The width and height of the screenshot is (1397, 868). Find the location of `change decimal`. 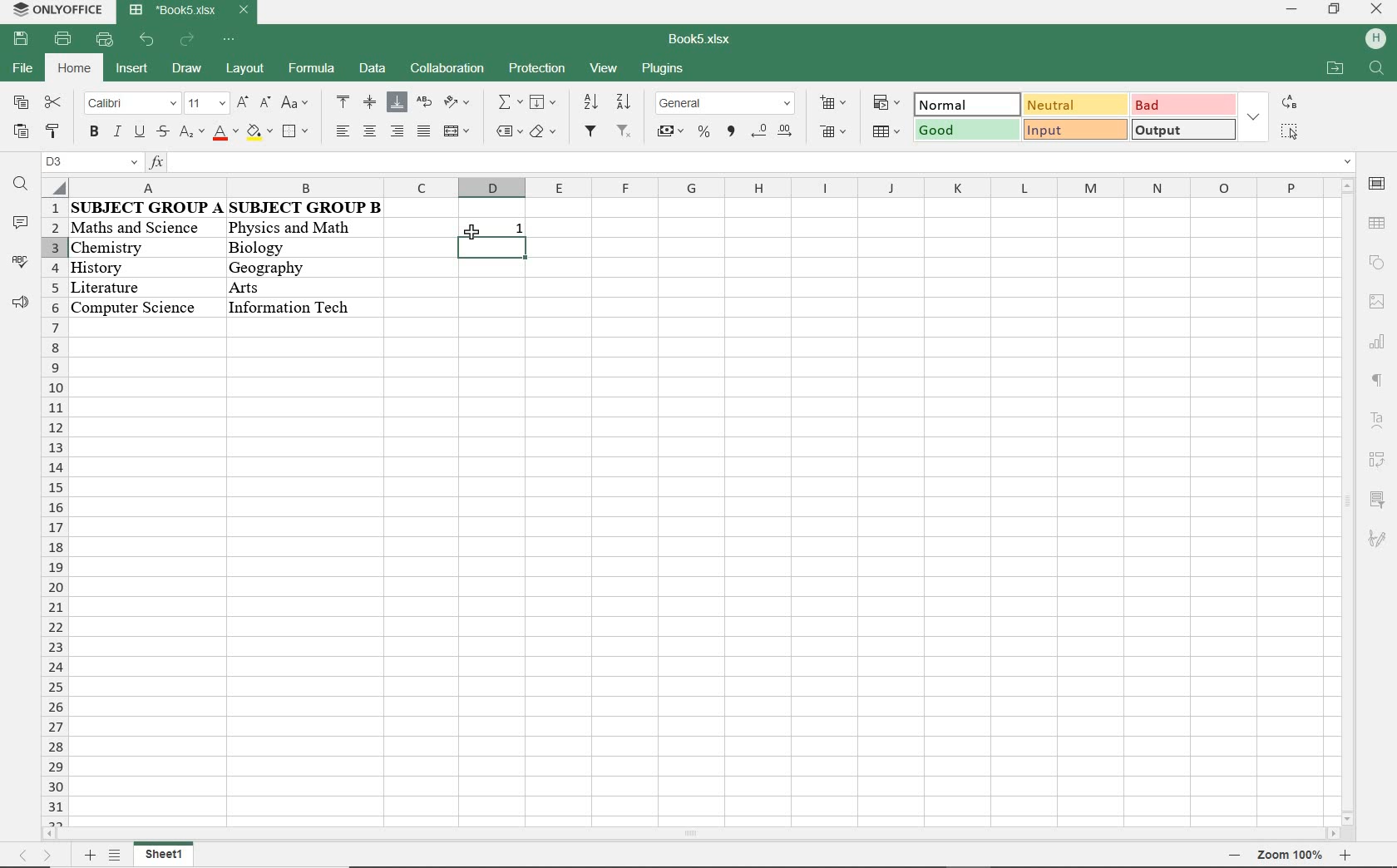

change decimal is located at coordinates (771, 131).